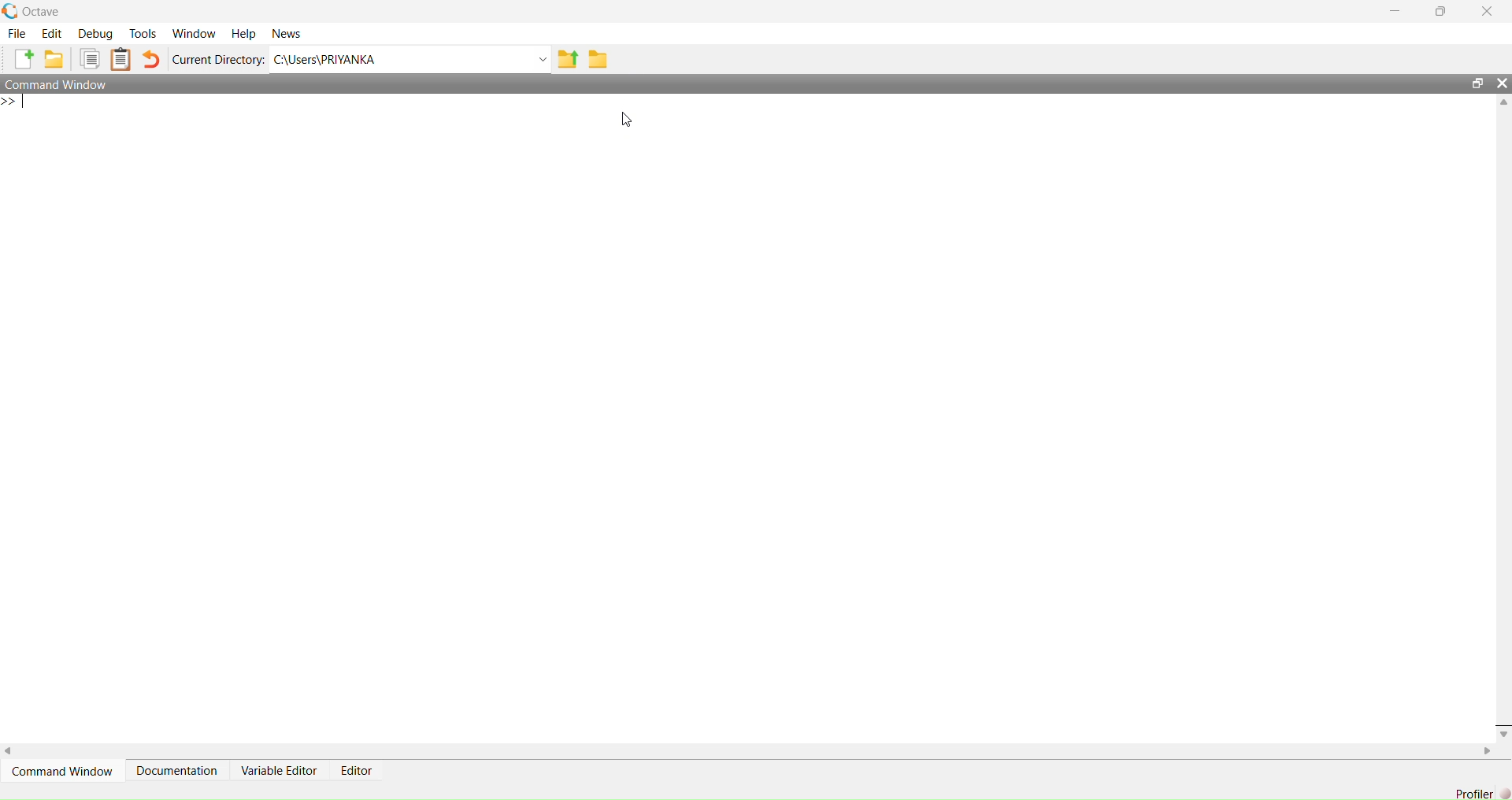 The width and height of the screenshot is (1512, 800). What do you see at coordinates (1503, 101) in the screenshot?
I see `Up` at bounding box center [1503, 101].